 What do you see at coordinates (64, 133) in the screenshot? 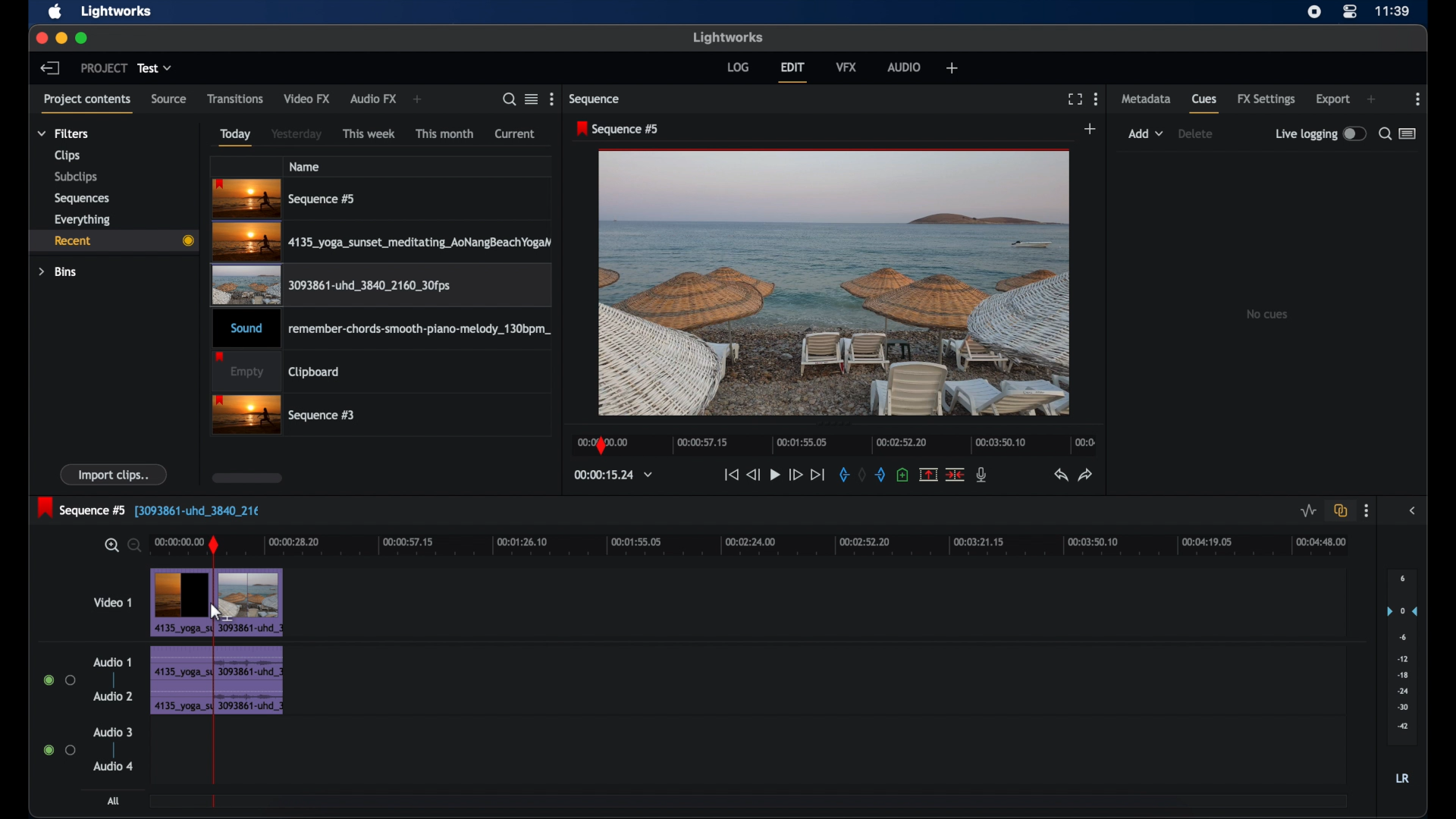
I see `filters` at bounding box center [64, 133].